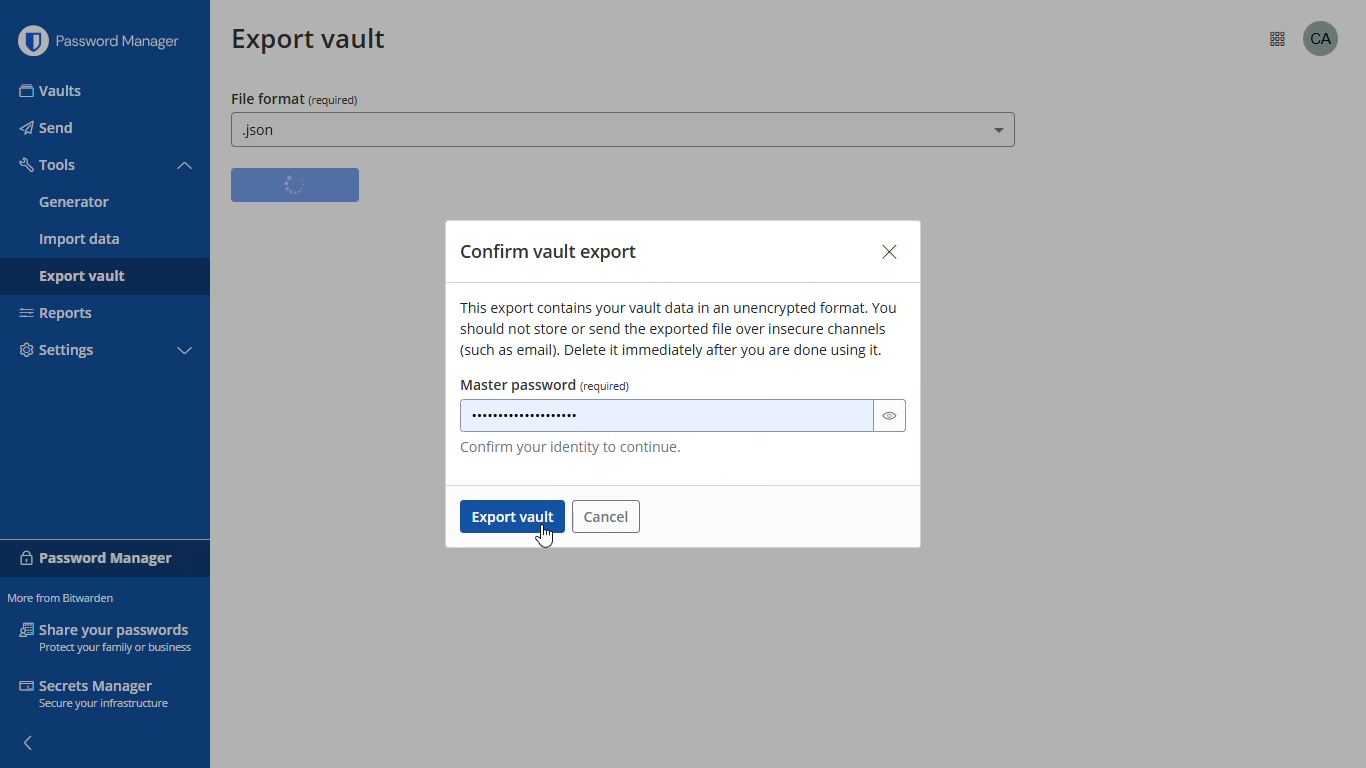  What do you see at coordinates (185, 166) in the screenshot?
I see `toggle collapse` at bounding box center [185, 166].